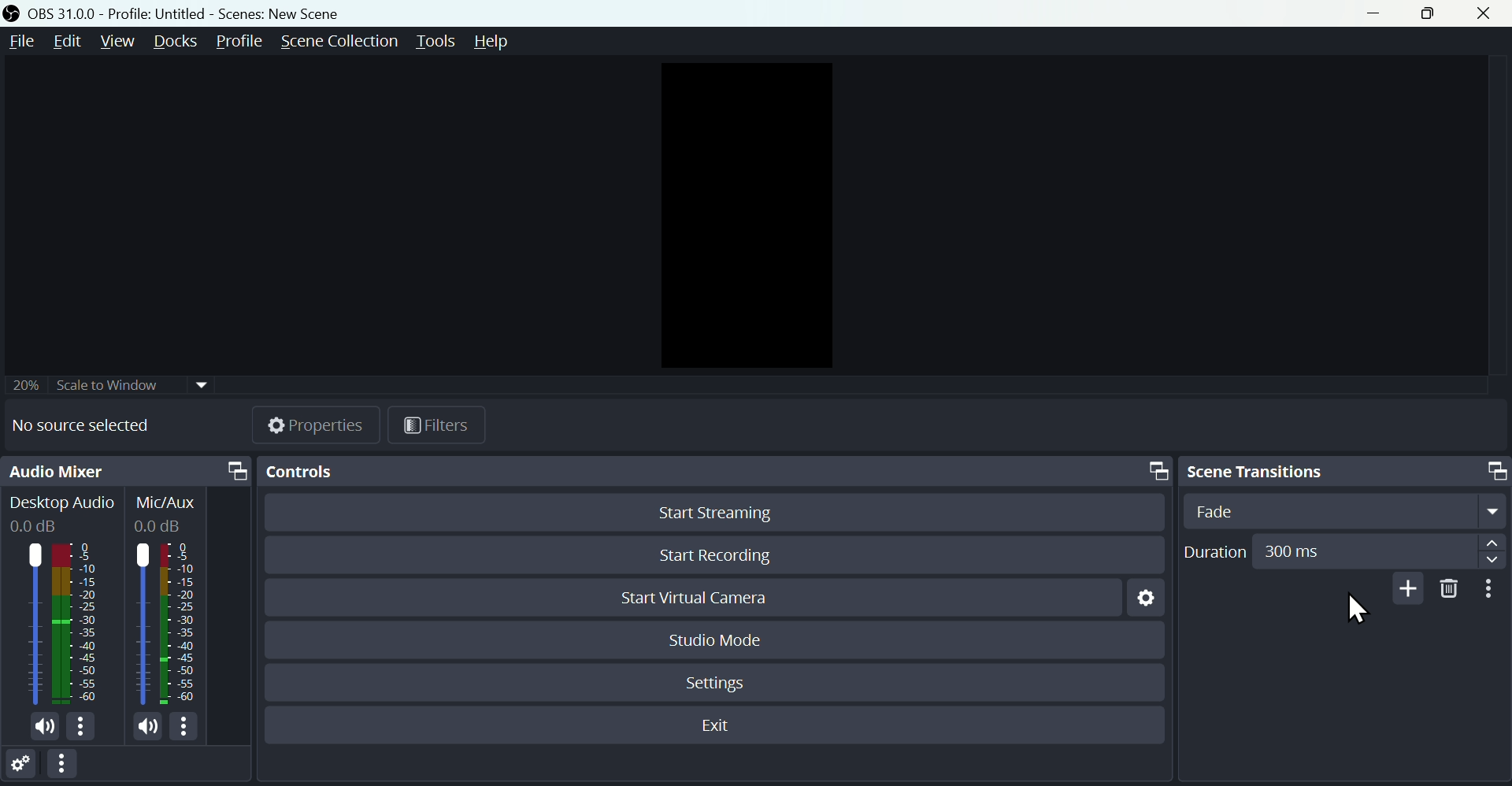 The image size is (1512, 786). Describe the element at coordinates (198, 13) in the screenshot. I see `OBS 31.0 .0 profile: untitled Scene: New scene` at that location.